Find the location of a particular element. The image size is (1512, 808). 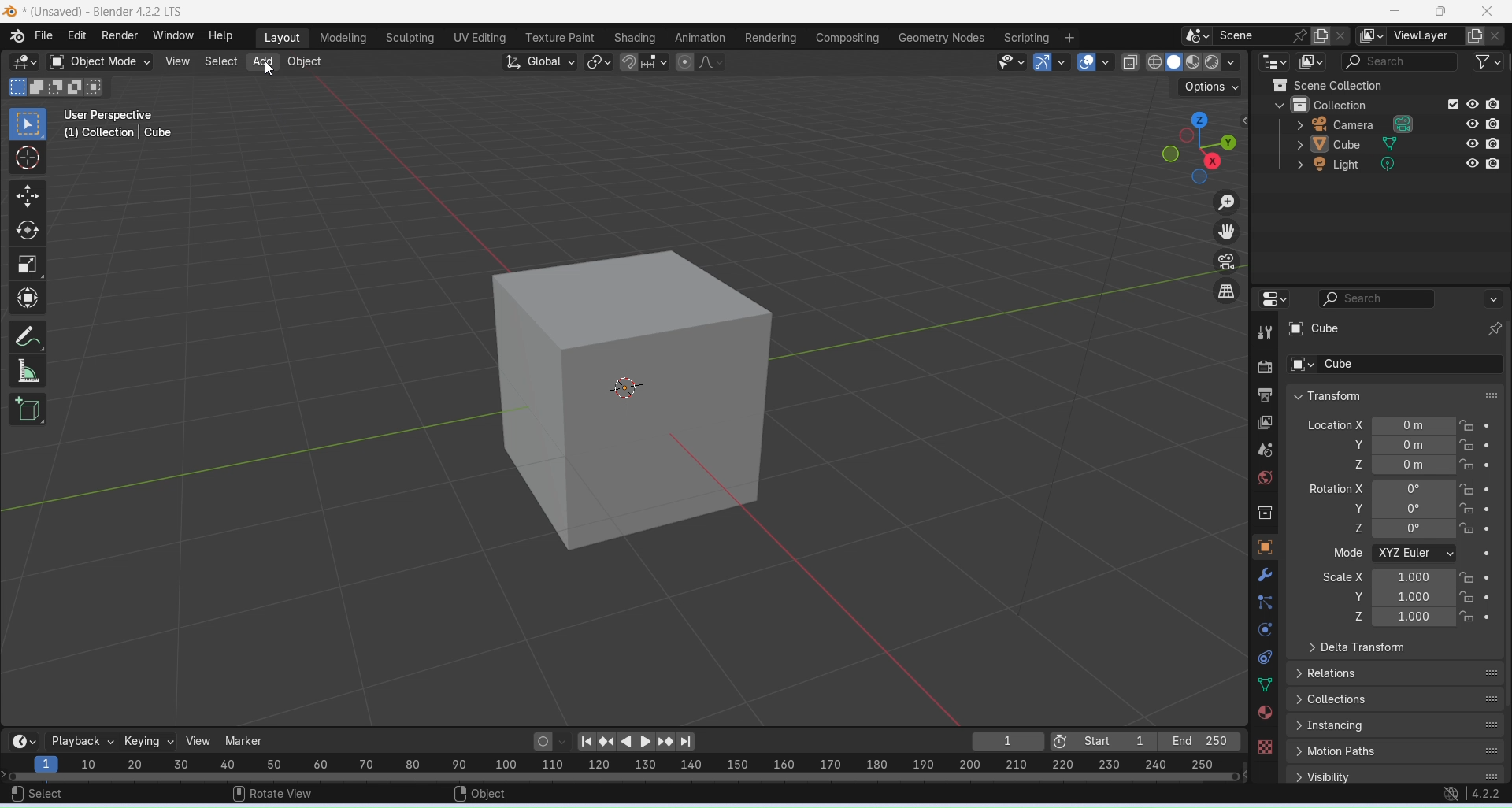

Scene collection is located at coordinates (1325, 85).